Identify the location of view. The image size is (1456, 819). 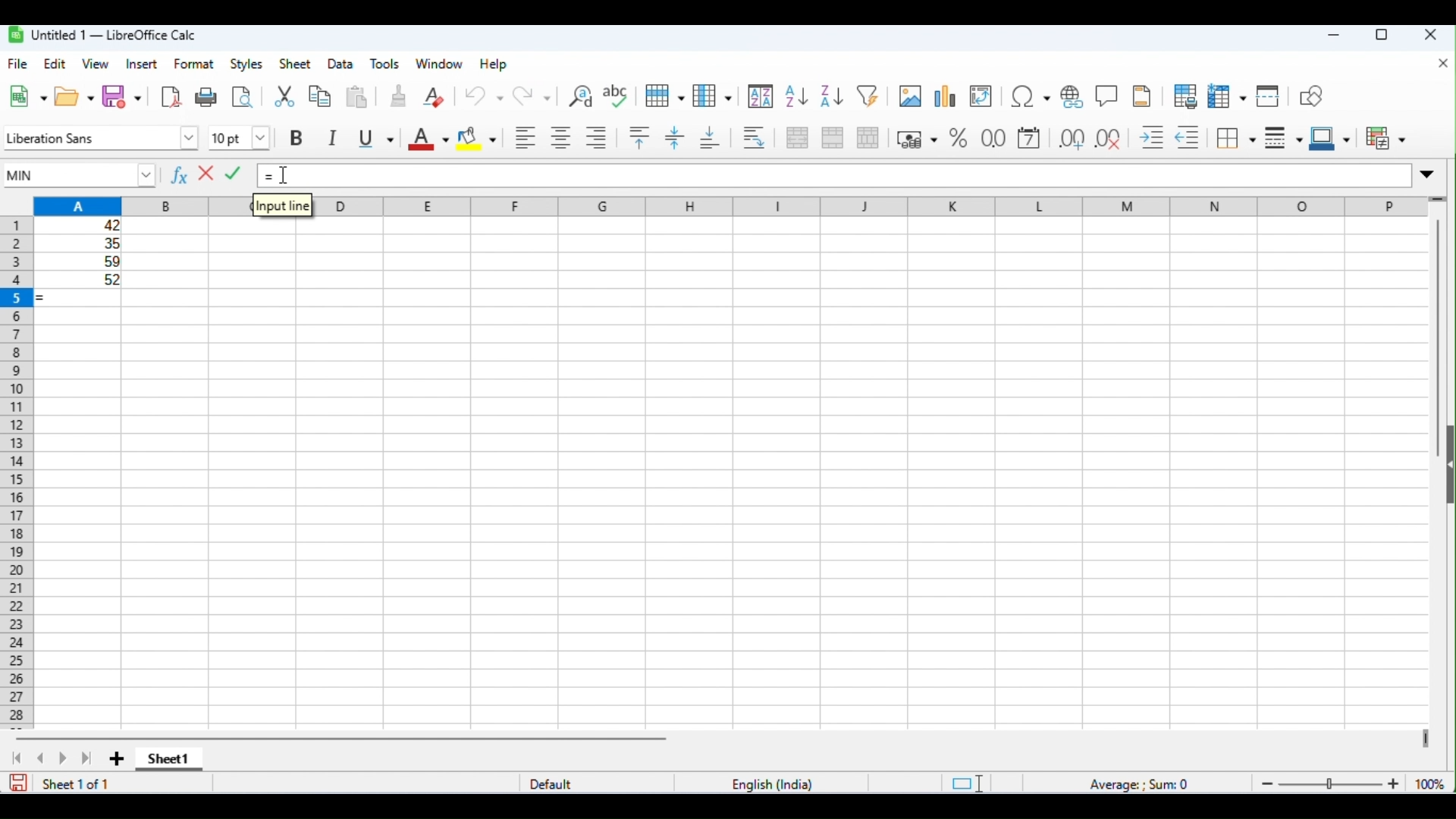
(96, 64).